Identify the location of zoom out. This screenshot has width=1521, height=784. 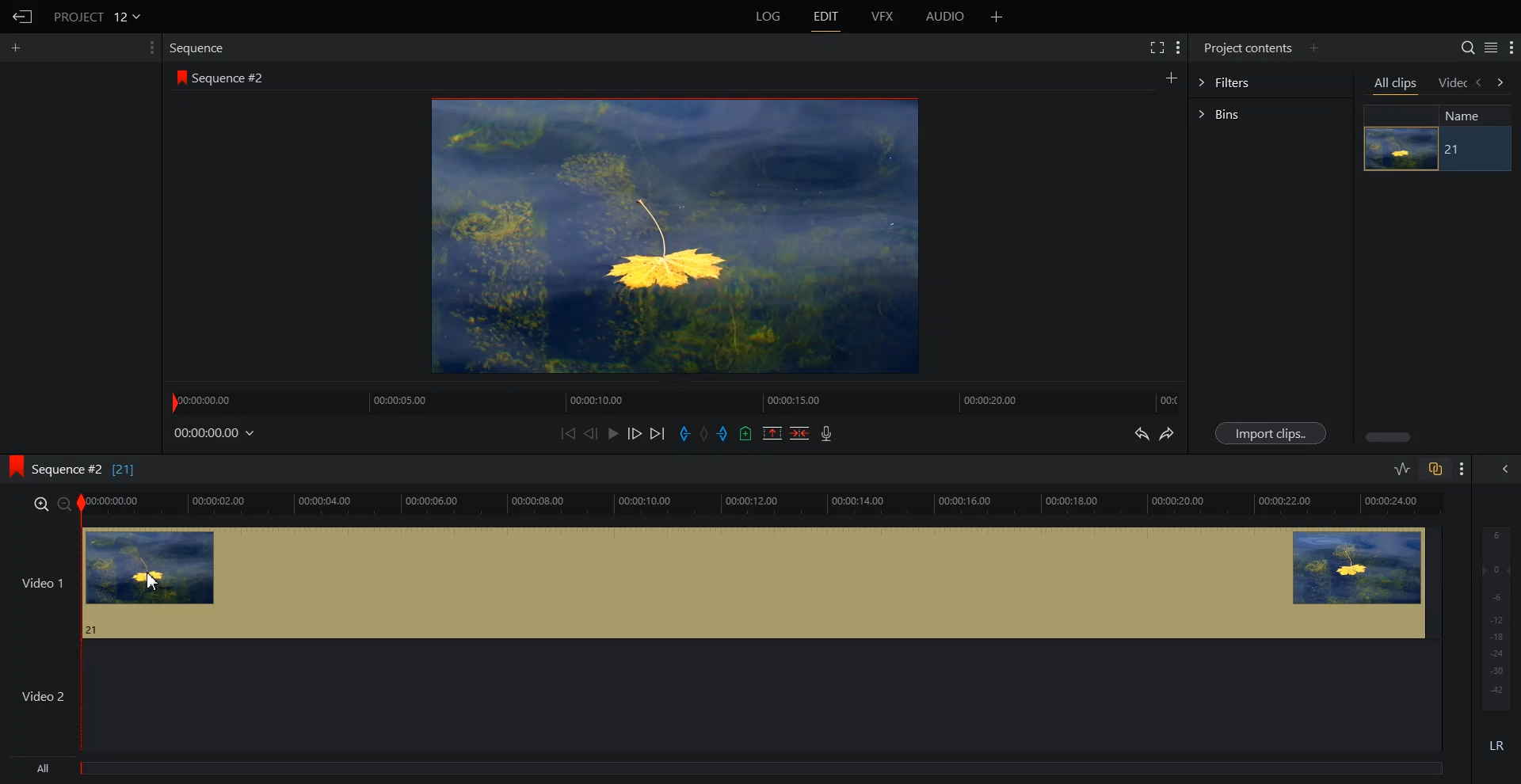
(64, 504).